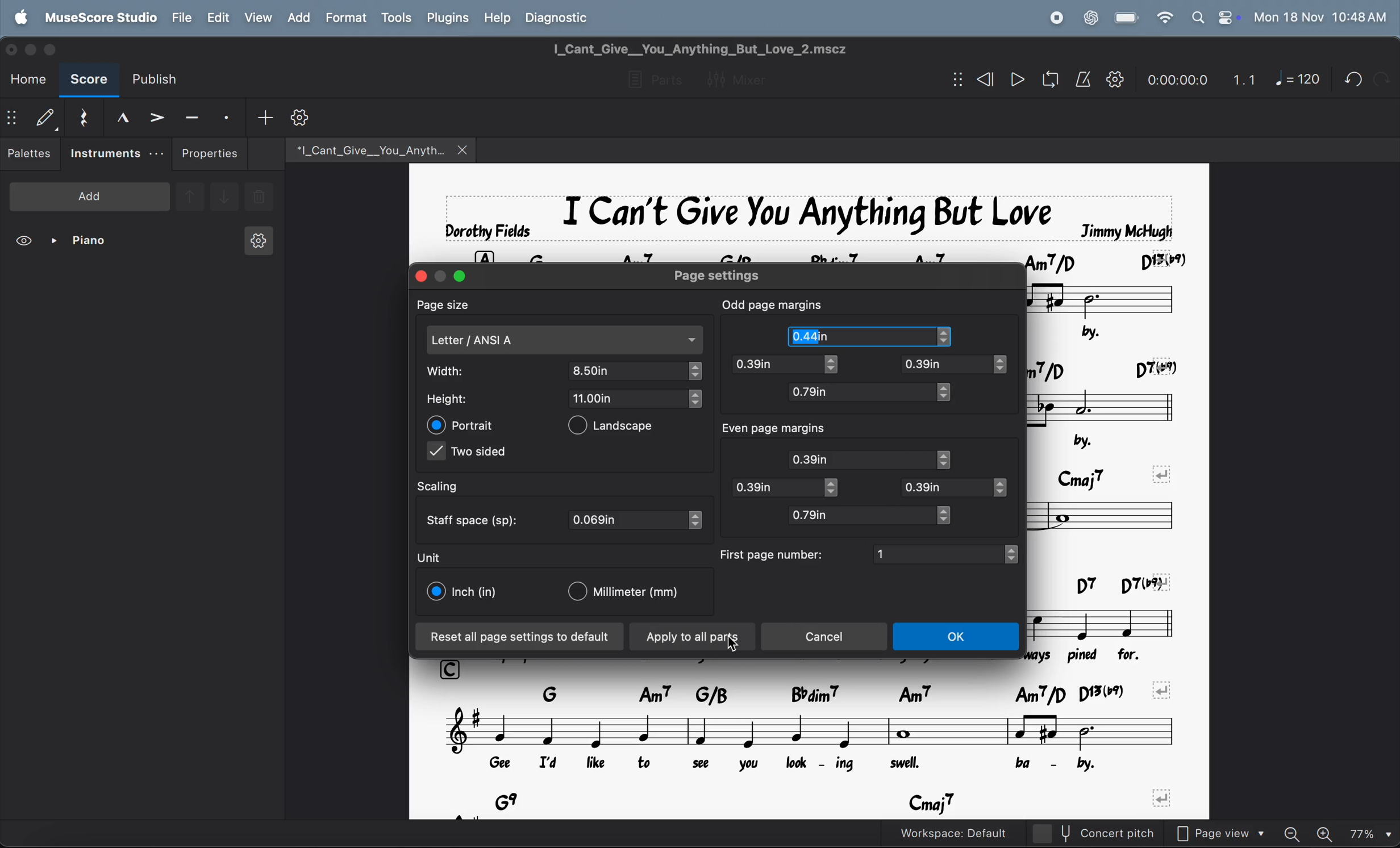 The width and height of the screenshot is (1400, 848). Describe the element at coordinates (345, 18) in the screenshot. I see `format` at that location.